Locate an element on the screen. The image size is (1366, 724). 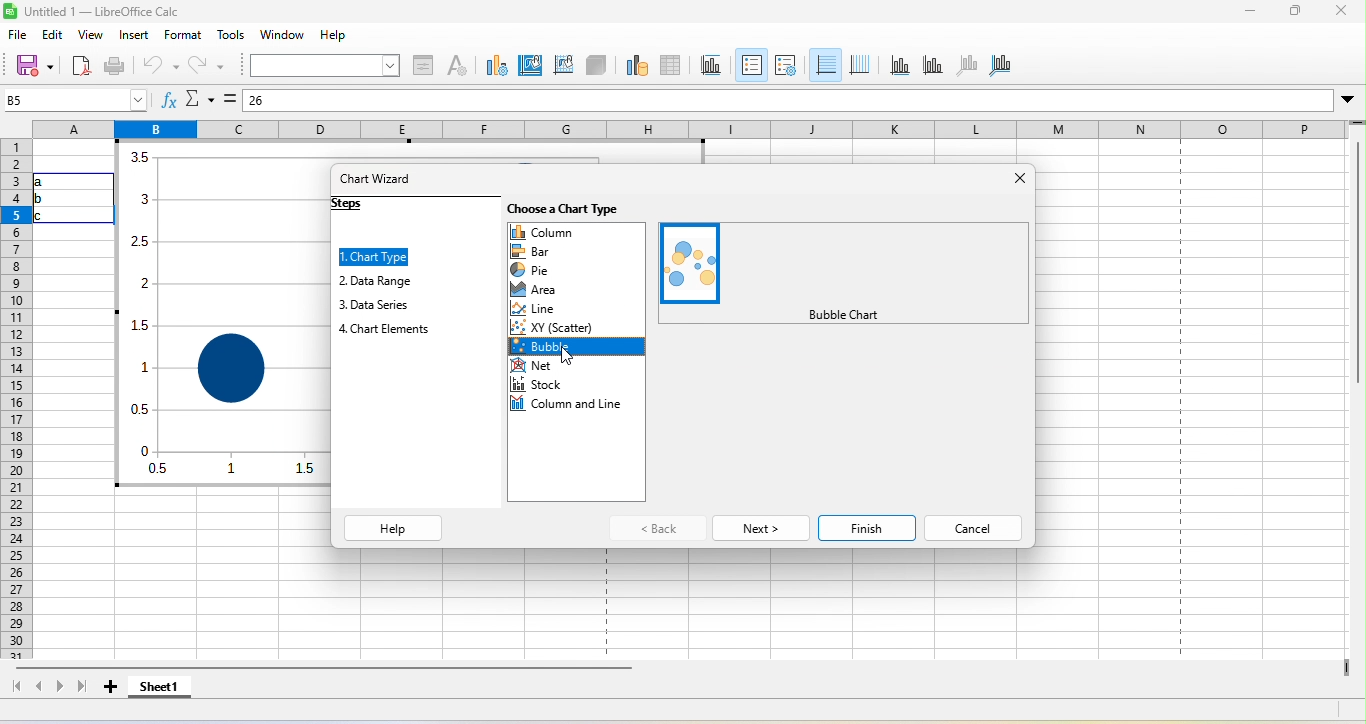
chart element is located at coordinates (390, 330).